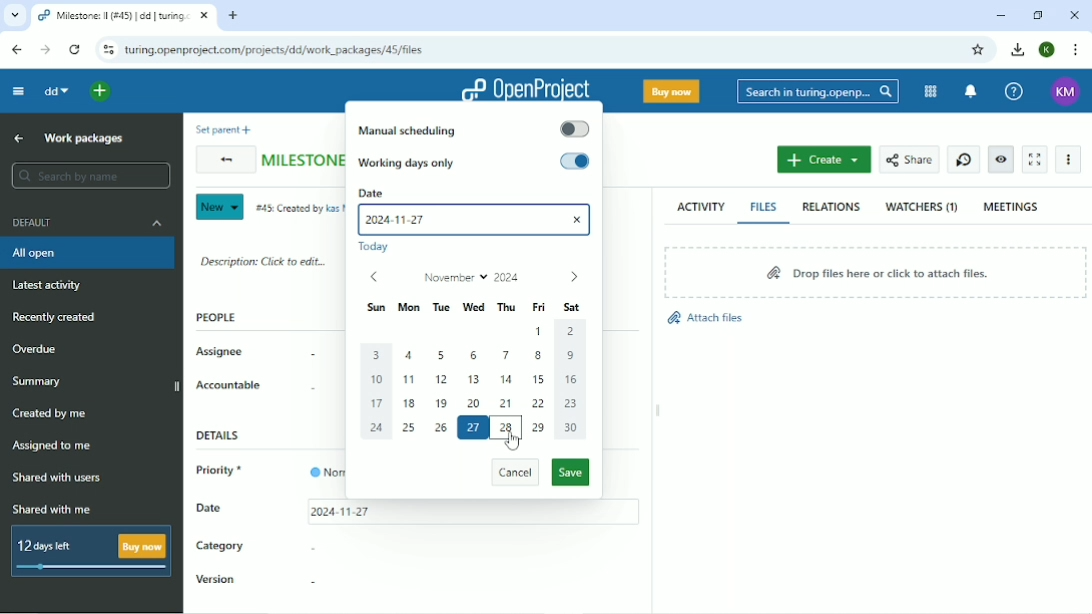  I want to click on days of the week, so click(476, 307).